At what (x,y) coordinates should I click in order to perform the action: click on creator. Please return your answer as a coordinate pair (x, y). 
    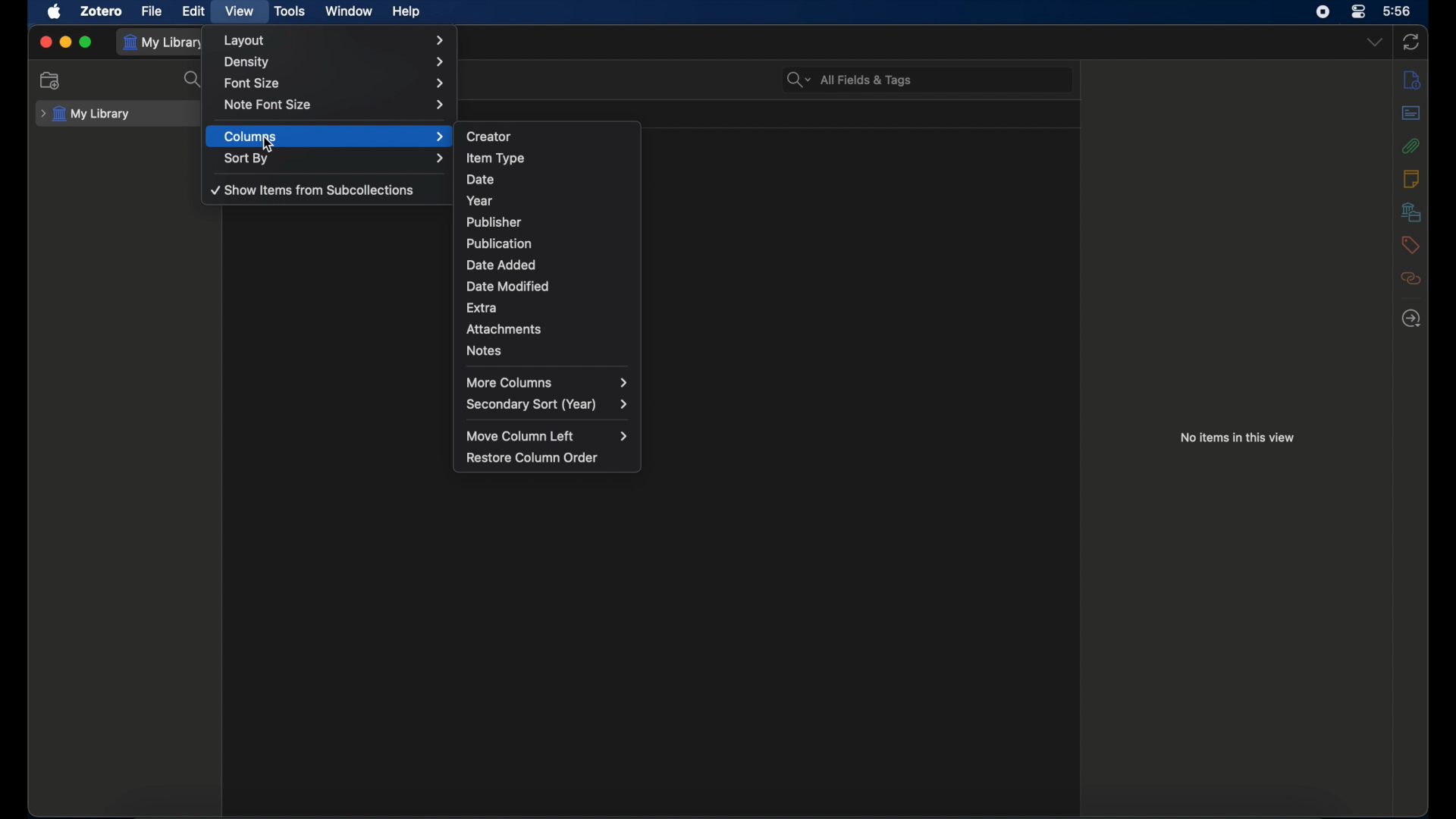
    Looking at the image, I should click on (551, 135).